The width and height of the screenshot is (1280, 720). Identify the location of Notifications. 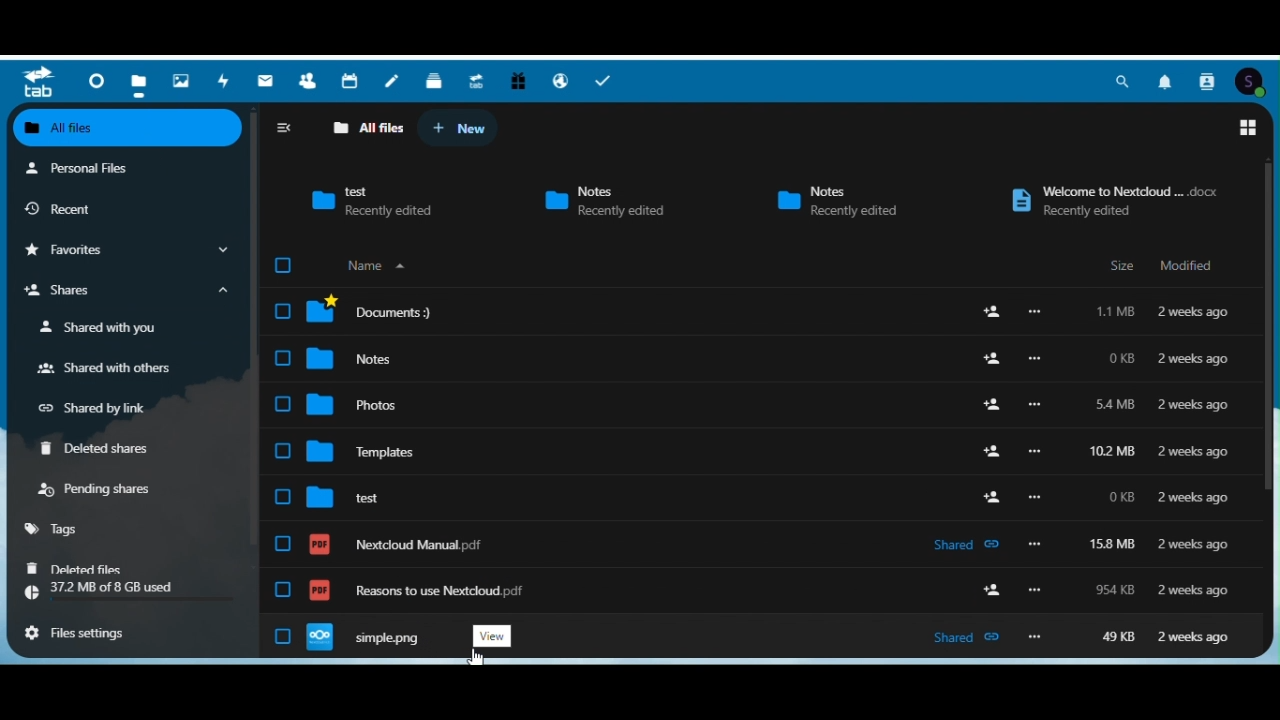
(1166, 82).